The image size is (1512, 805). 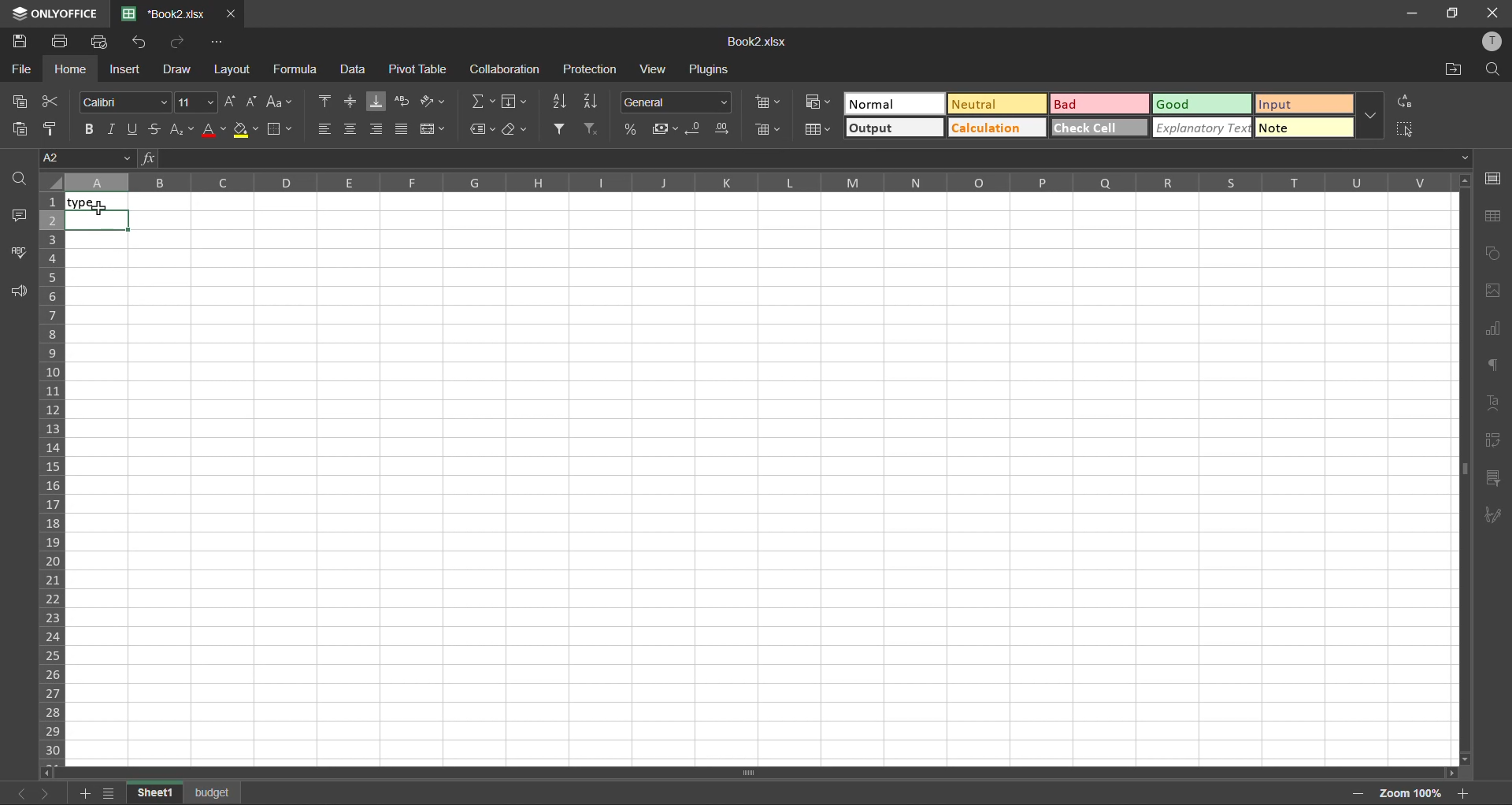 I want to click on type, so click(x=102, y=203).